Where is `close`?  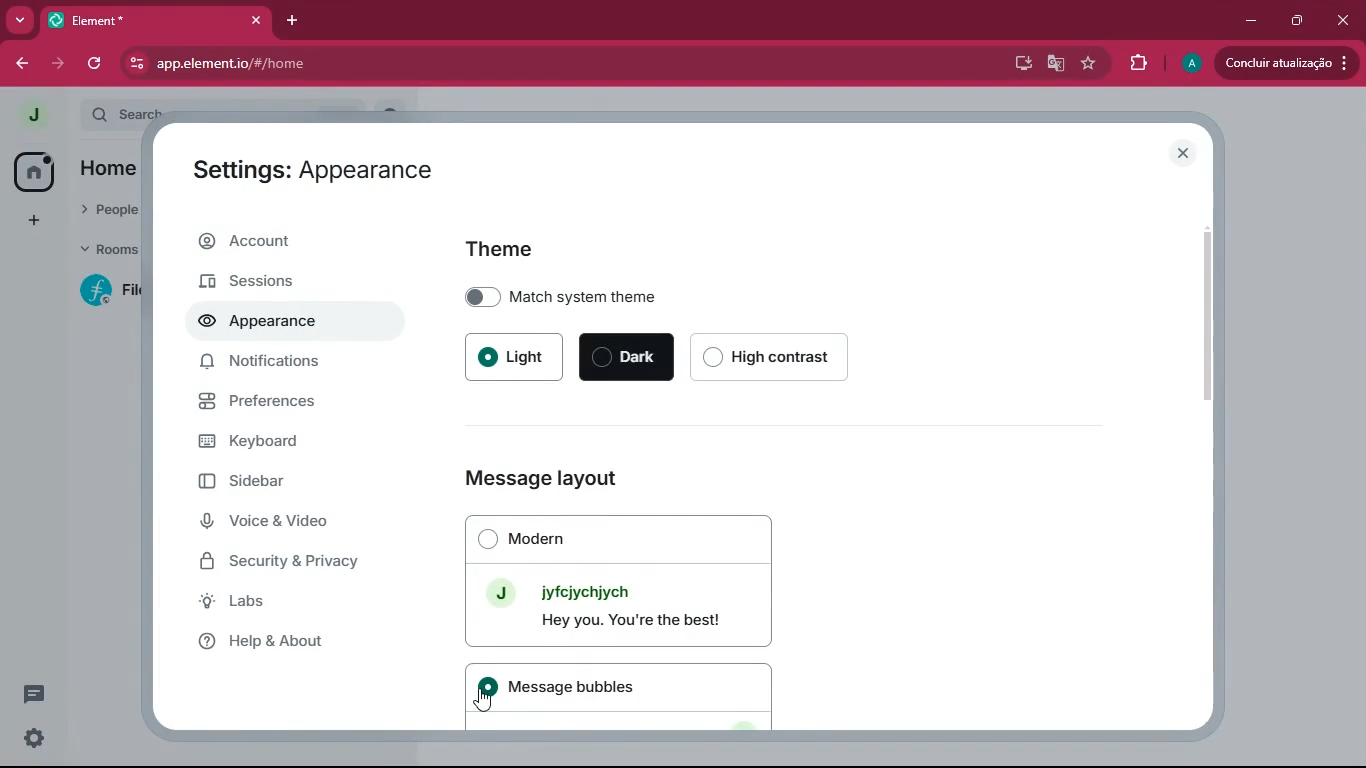 close is located at coordinates (1343, 20).